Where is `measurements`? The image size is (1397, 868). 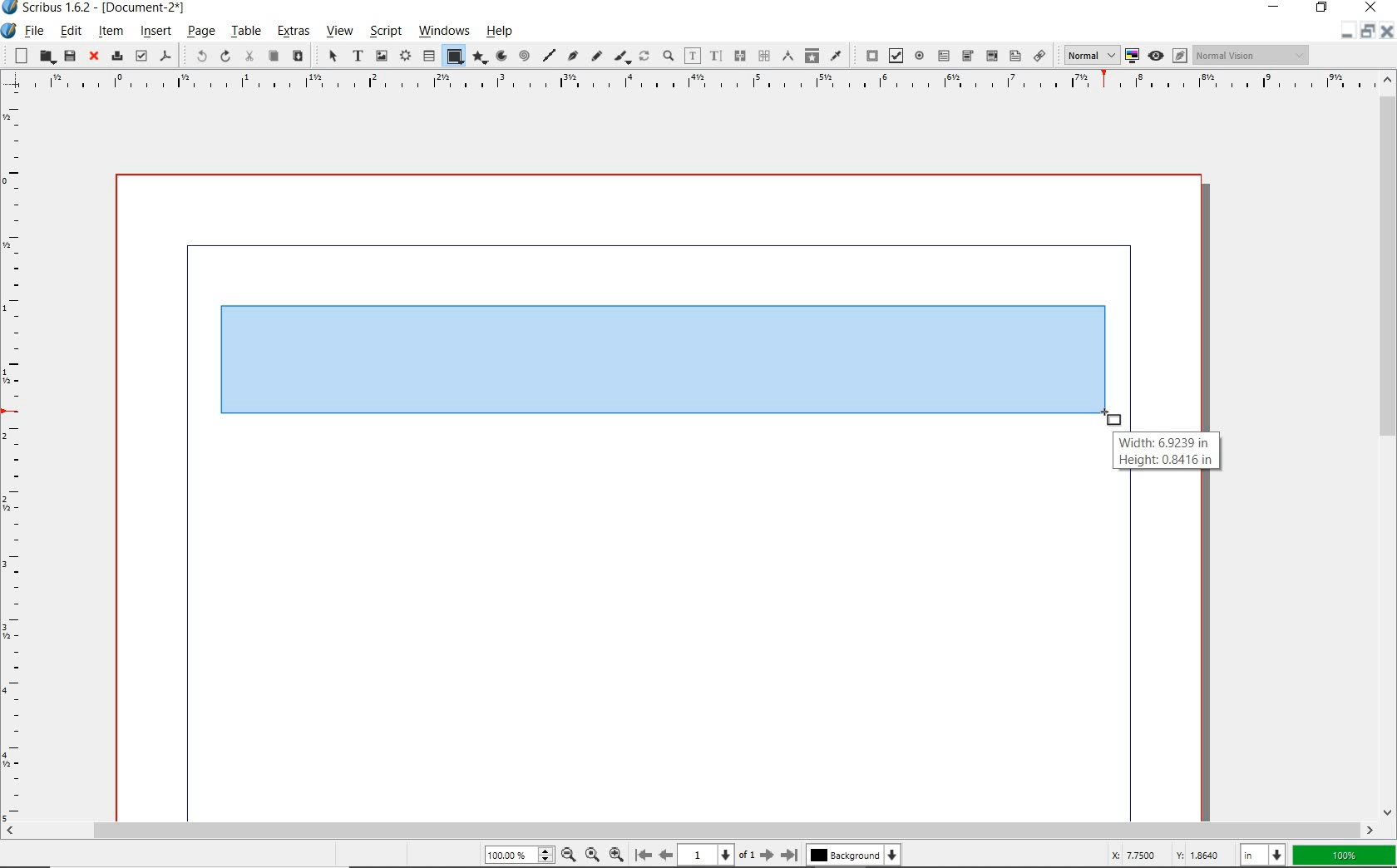
measurements is located at coordinates (786, 57).